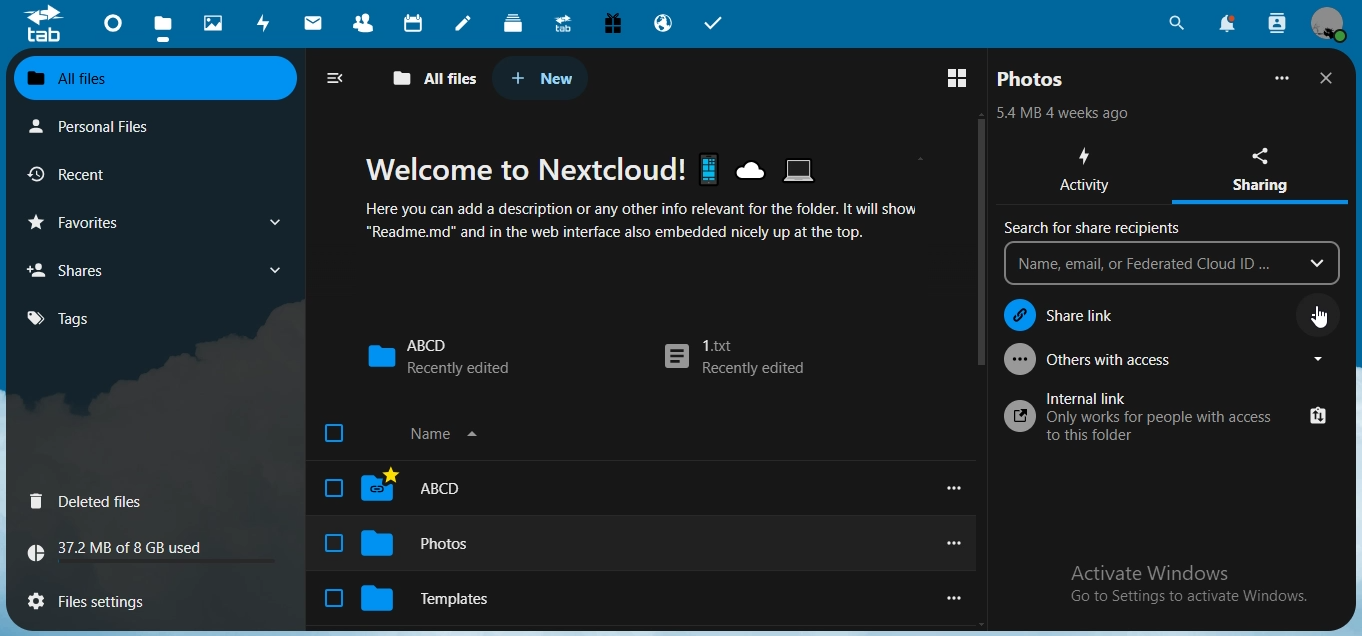  Describe the element at coordinates (1330, 78) in the screenshot. I see `close` at that location.